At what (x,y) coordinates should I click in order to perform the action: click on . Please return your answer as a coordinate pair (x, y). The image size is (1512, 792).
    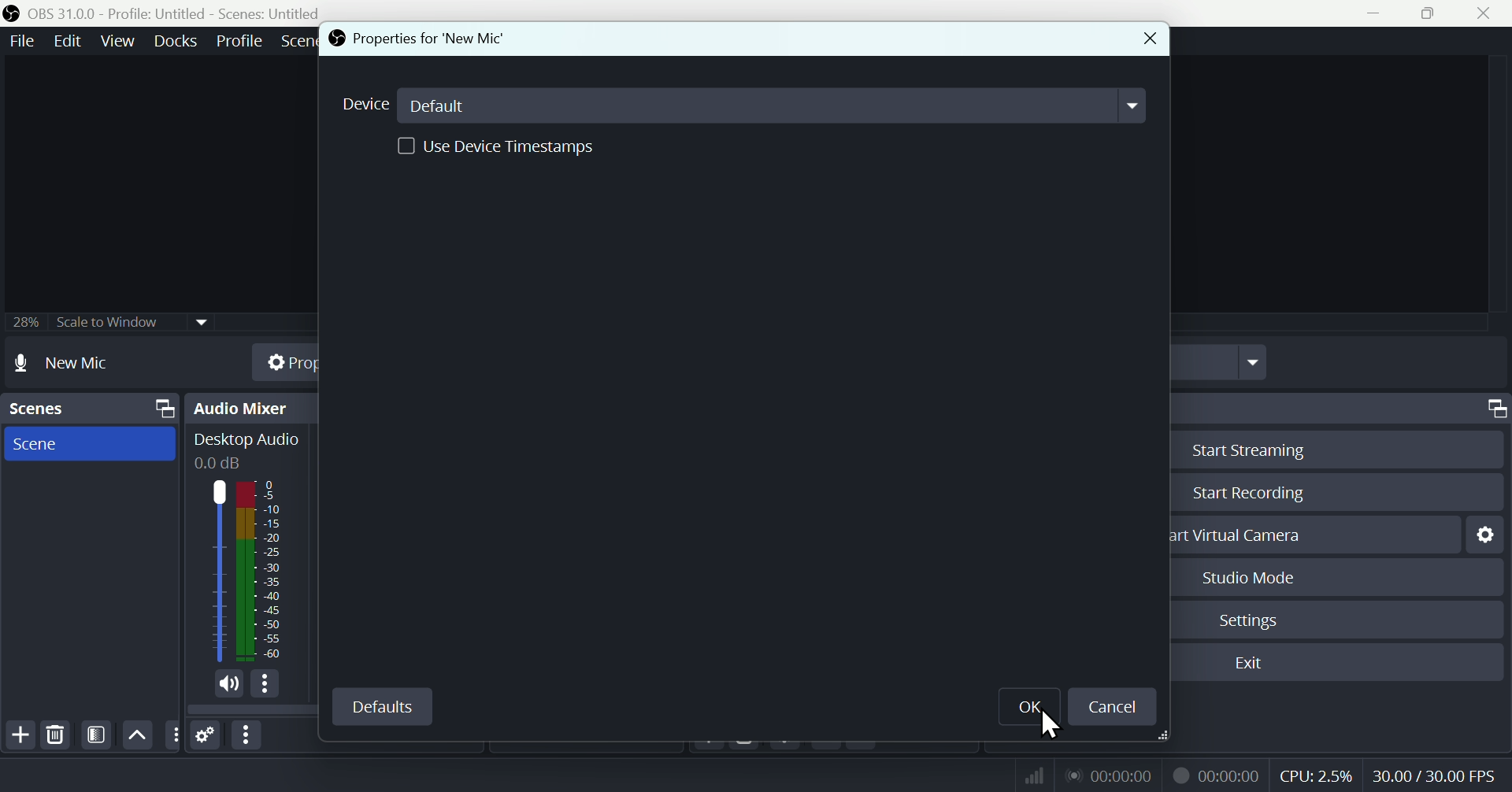
    Looking at the image, I should click on (172, 735).